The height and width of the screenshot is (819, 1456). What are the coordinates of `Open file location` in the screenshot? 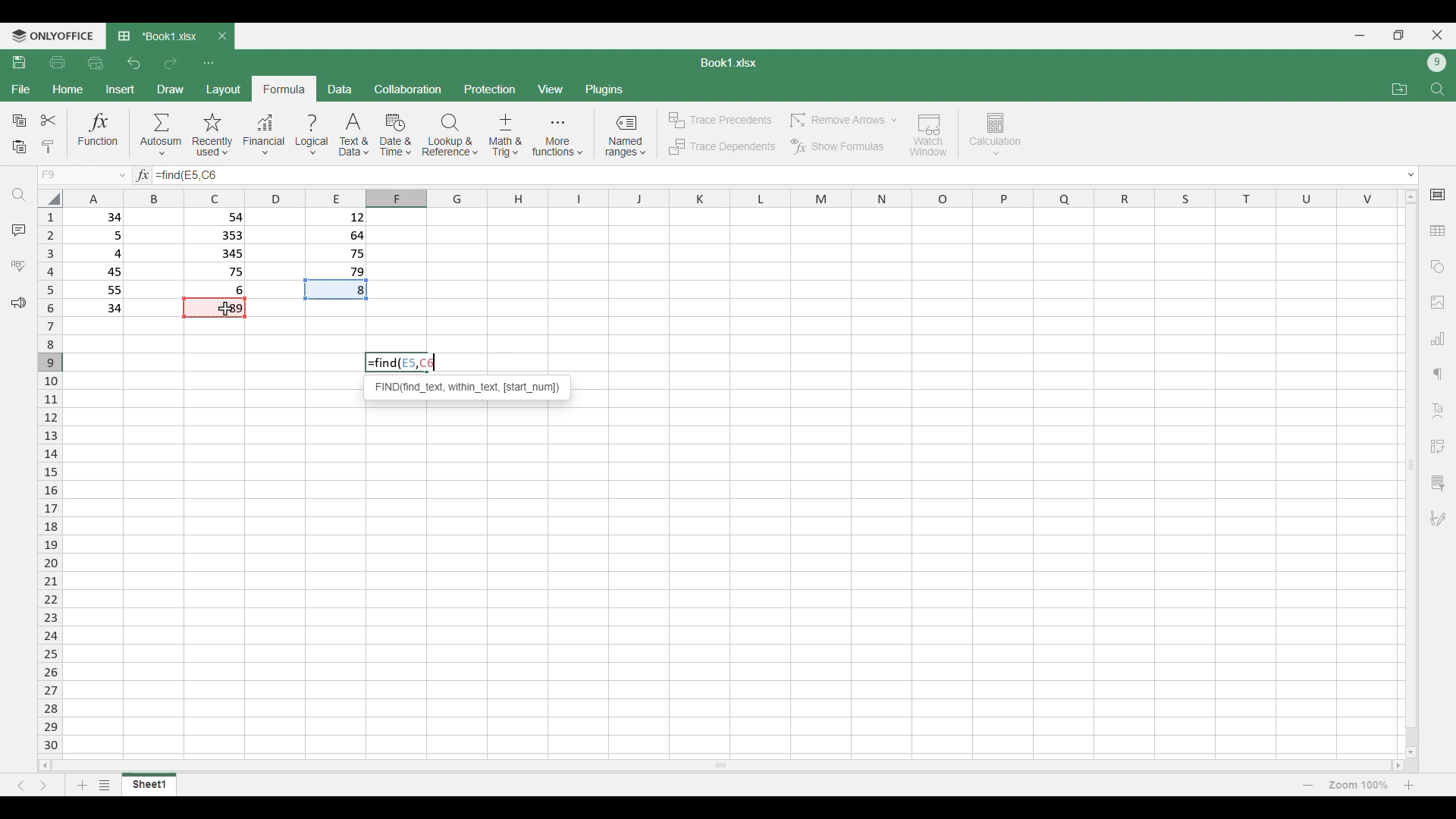 It's located at (1400, 89).